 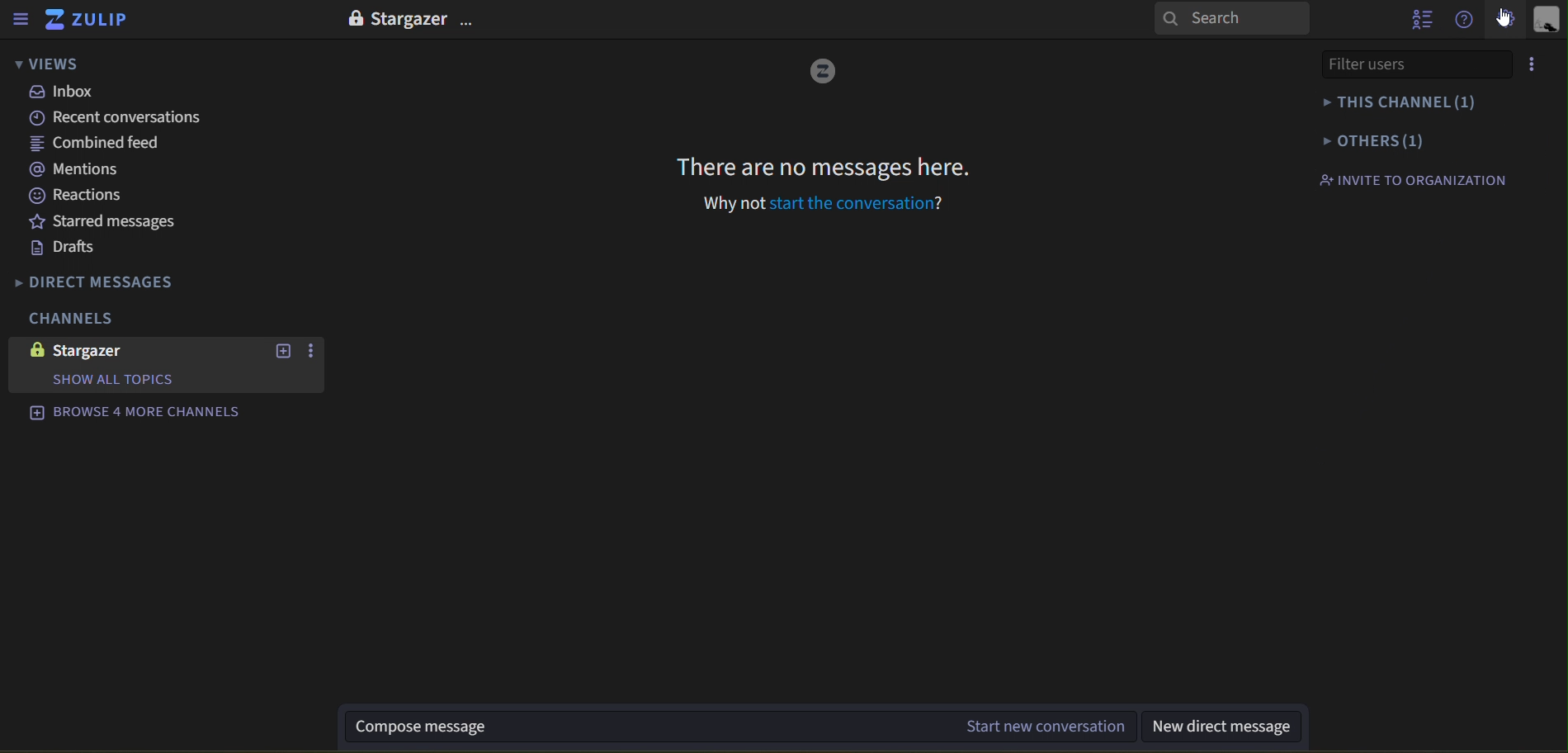 I want to click on view profile, so click(x=1548, y=20).